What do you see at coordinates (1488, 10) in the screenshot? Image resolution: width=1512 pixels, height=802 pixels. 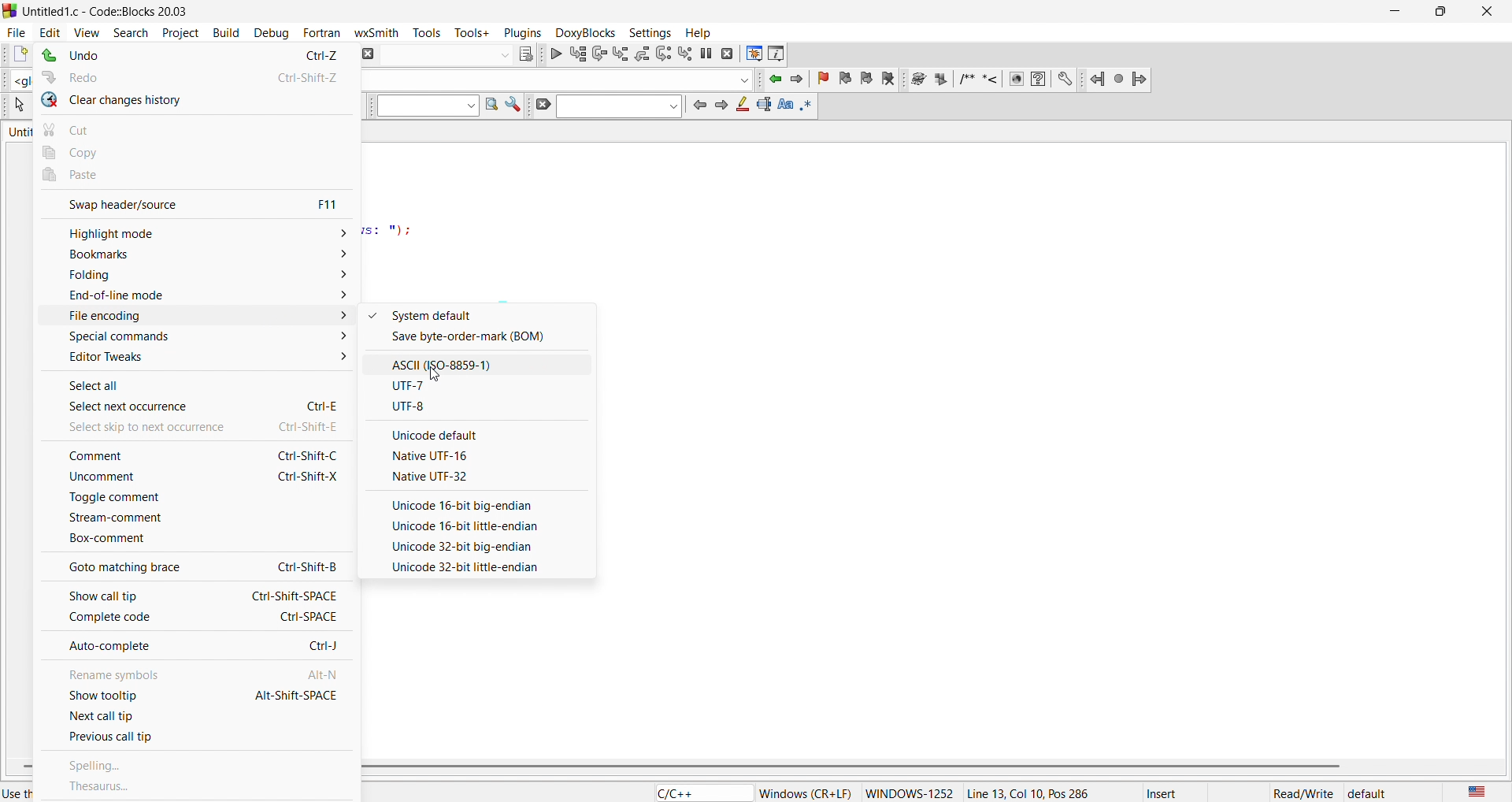 I see `close` at bounding box center [1488, 10].